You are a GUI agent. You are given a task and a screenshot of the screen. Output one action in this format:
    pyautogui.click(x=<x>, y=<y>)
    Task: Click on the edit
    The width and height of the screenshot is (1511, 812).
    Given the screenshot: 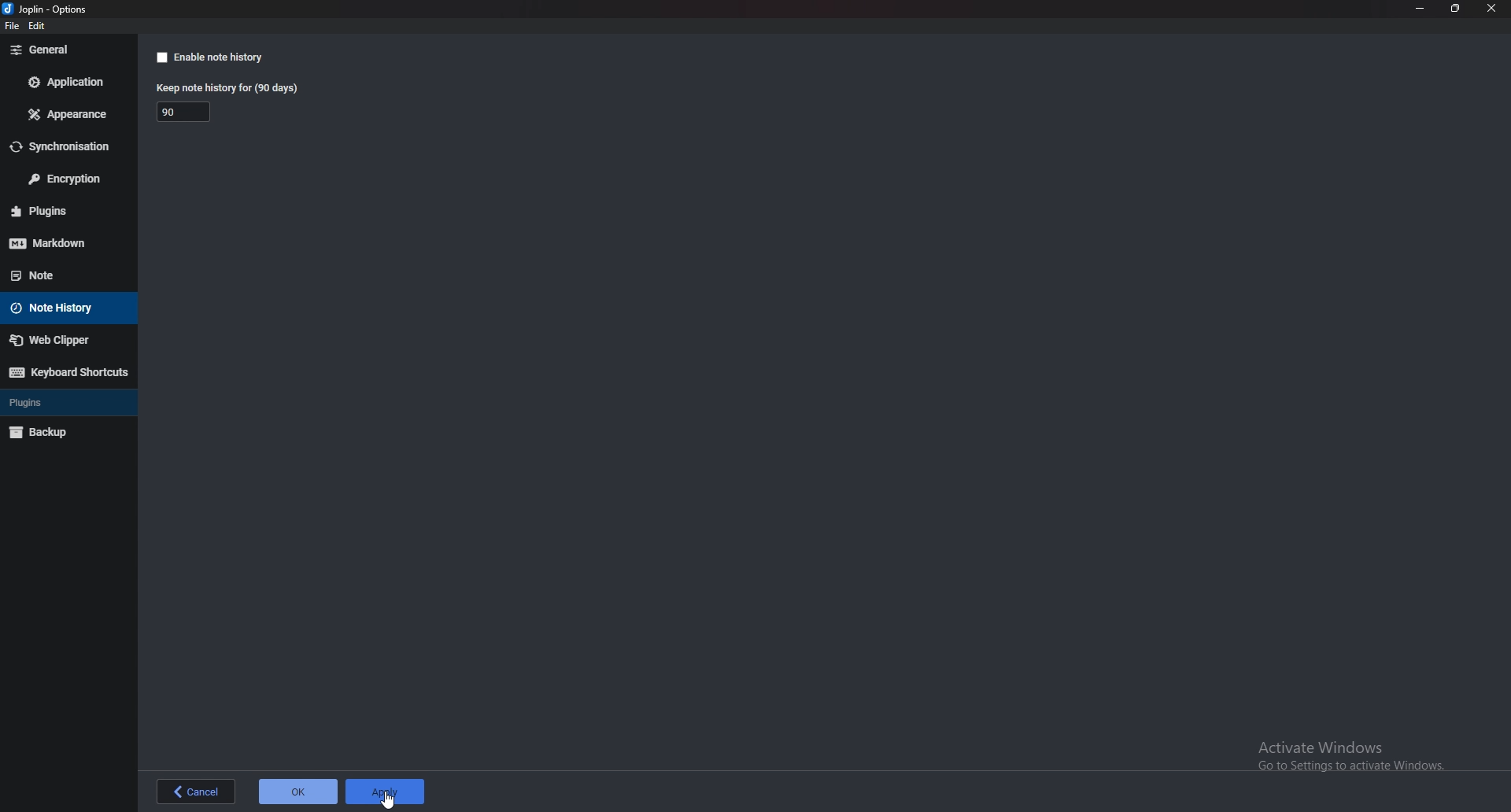 What is the action you would take?
    pyautogui.click(x=39, y=26)
    